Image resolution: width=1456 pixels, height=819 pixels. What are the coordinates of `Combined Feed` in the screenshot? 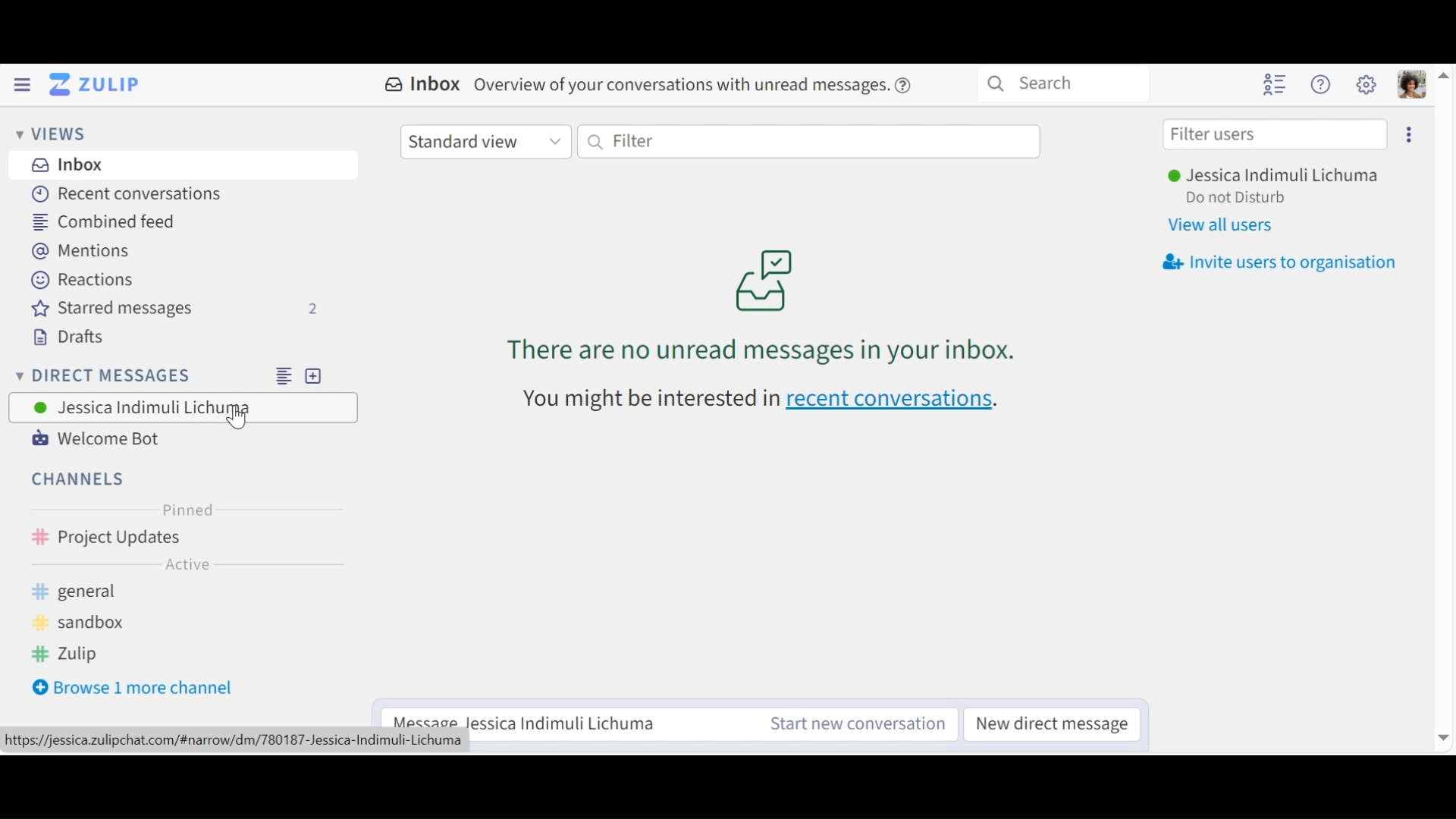 It's located at (108, 221).